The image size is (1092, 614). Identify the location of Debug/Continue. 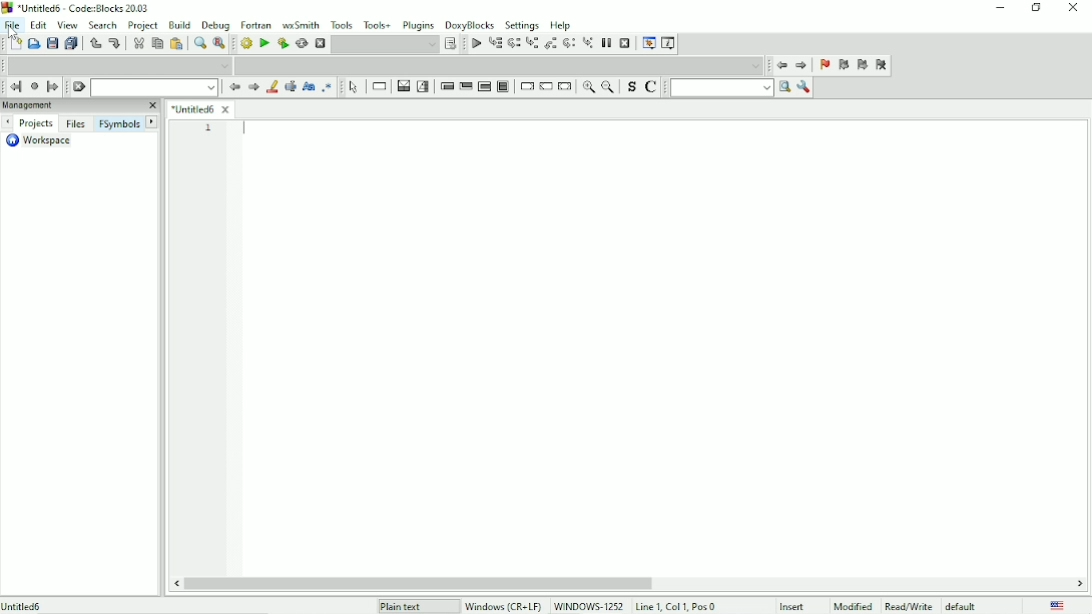
(476, 44).